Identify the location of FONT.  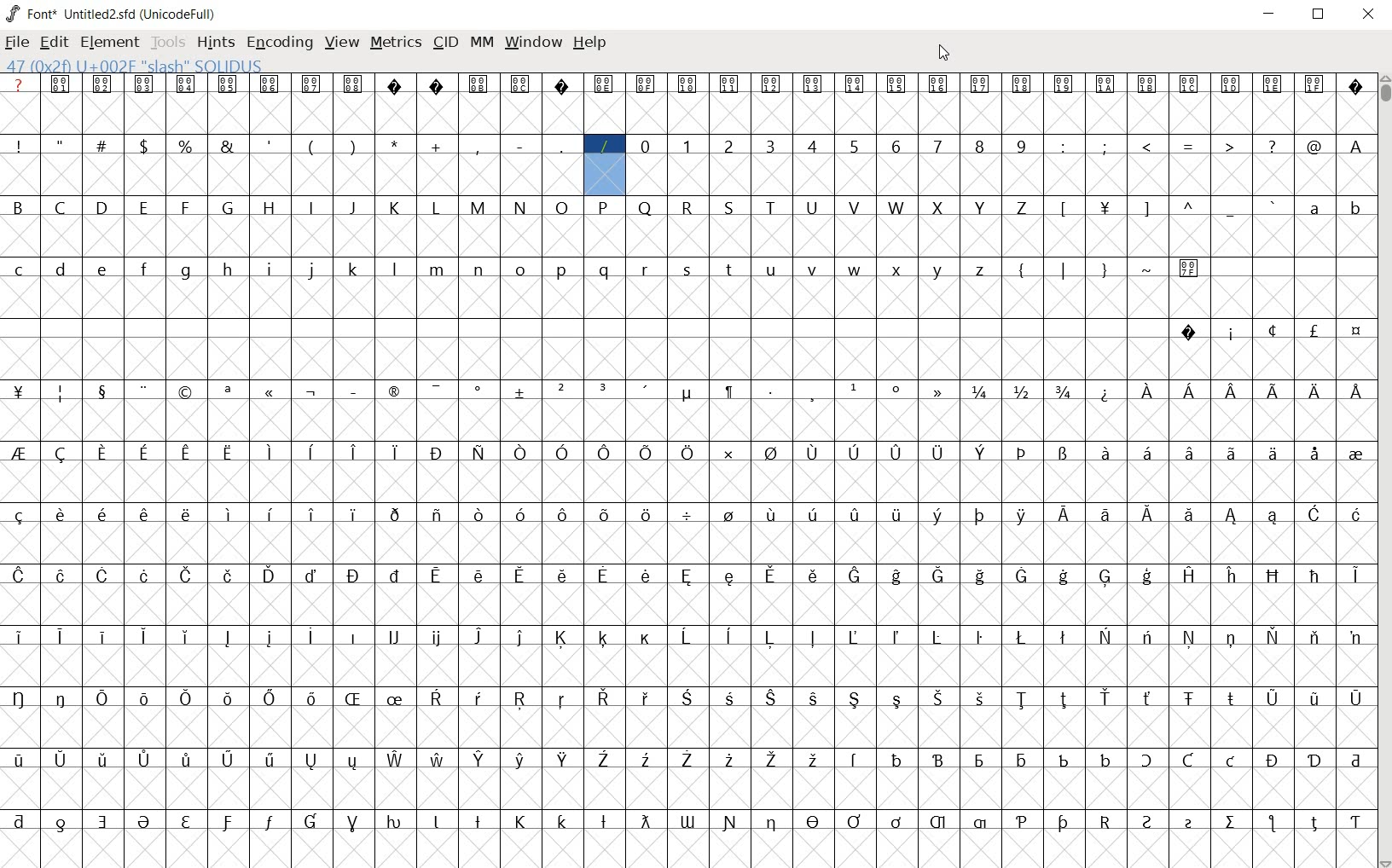
(31, 13).